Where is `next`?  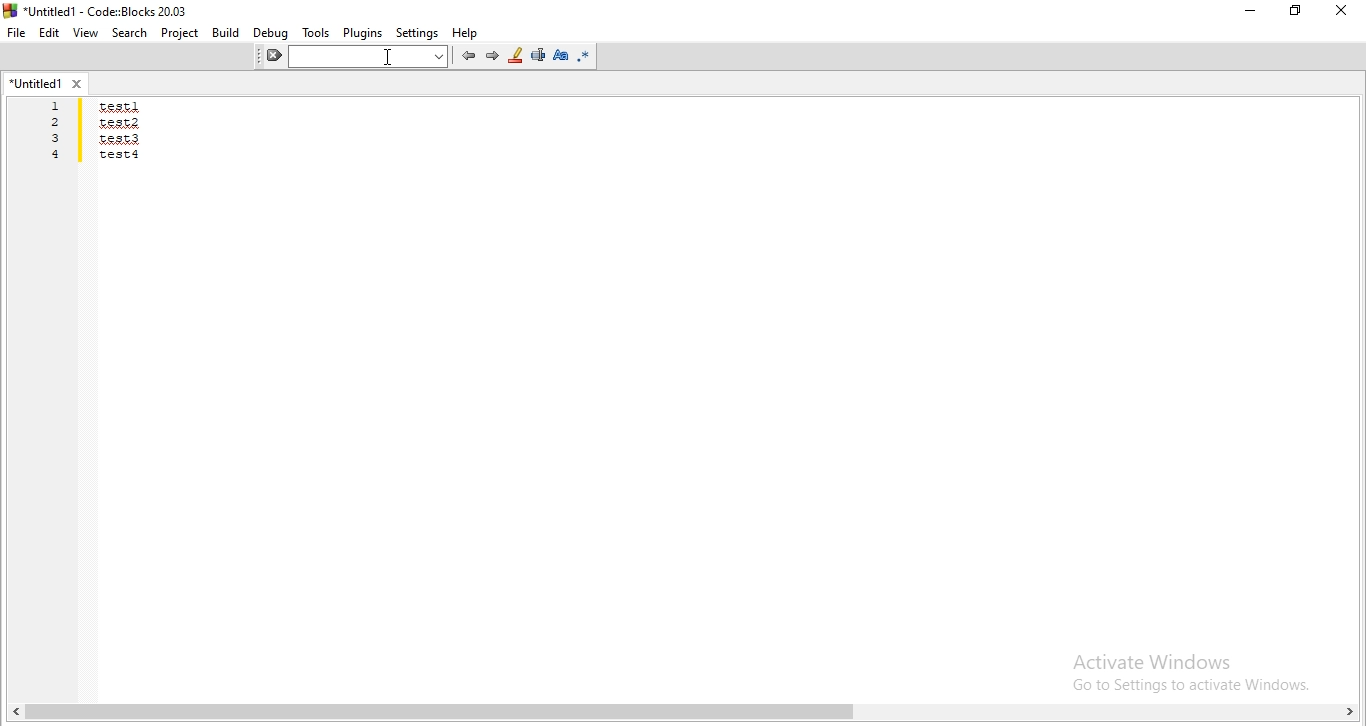
next is located at coordinates (492, 55).